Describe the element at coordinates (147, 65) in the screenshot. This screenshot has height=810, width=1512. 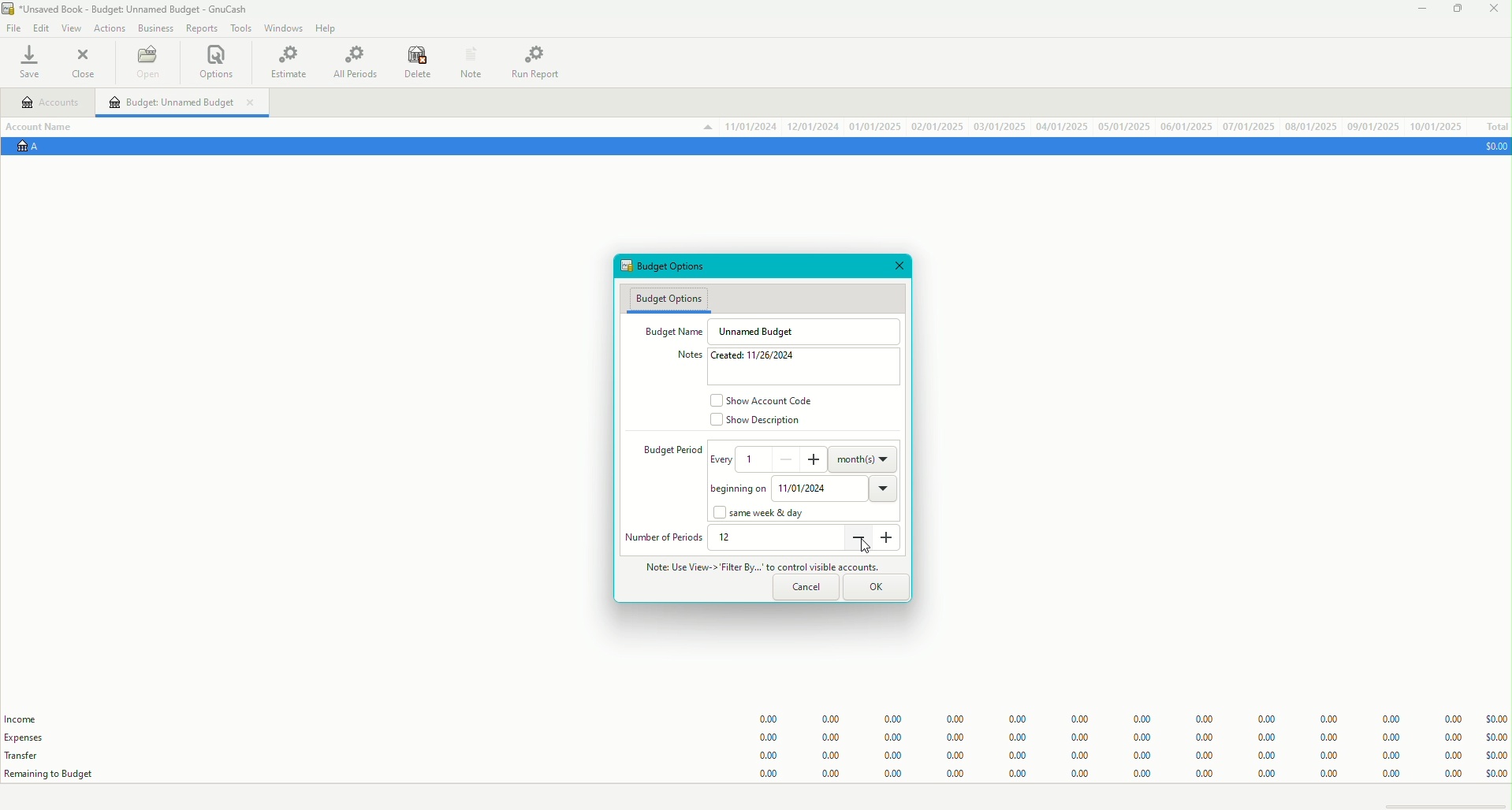
I see `Open` at that location.